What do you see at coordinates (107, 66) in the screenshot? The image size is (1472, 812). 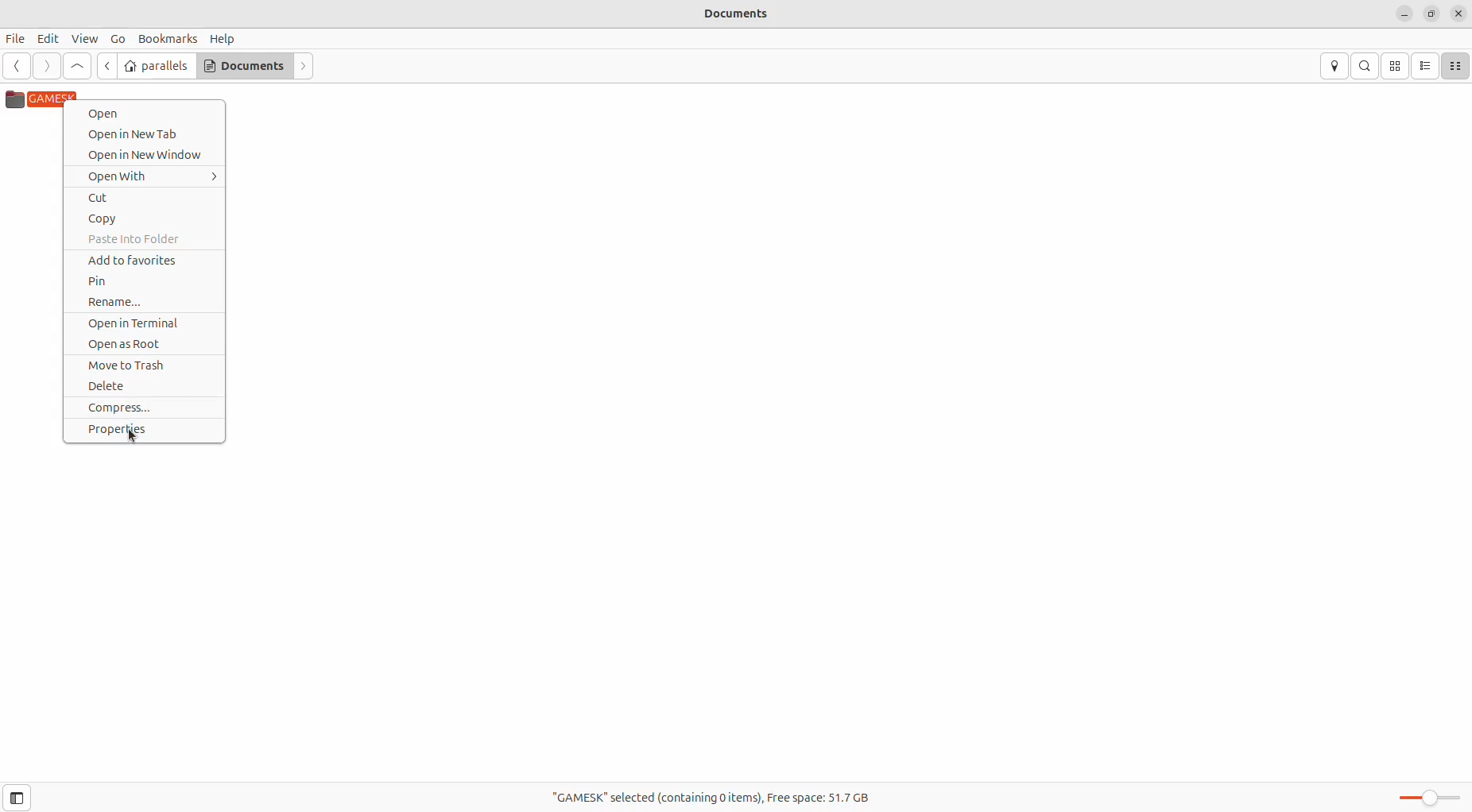 I see `go back` at bounding box center [107, 66].